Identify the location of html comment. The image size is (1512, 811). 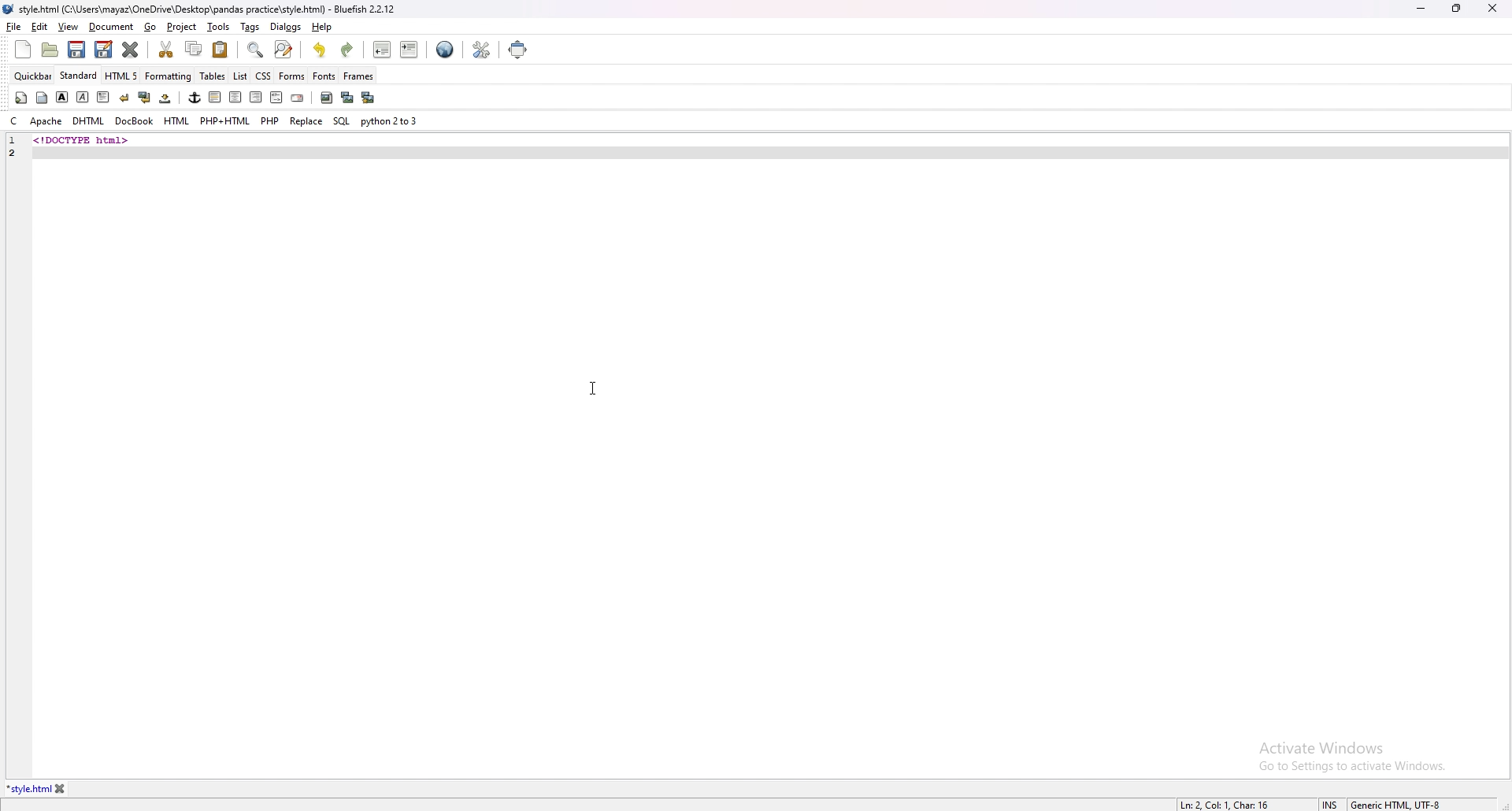
(276, 98).